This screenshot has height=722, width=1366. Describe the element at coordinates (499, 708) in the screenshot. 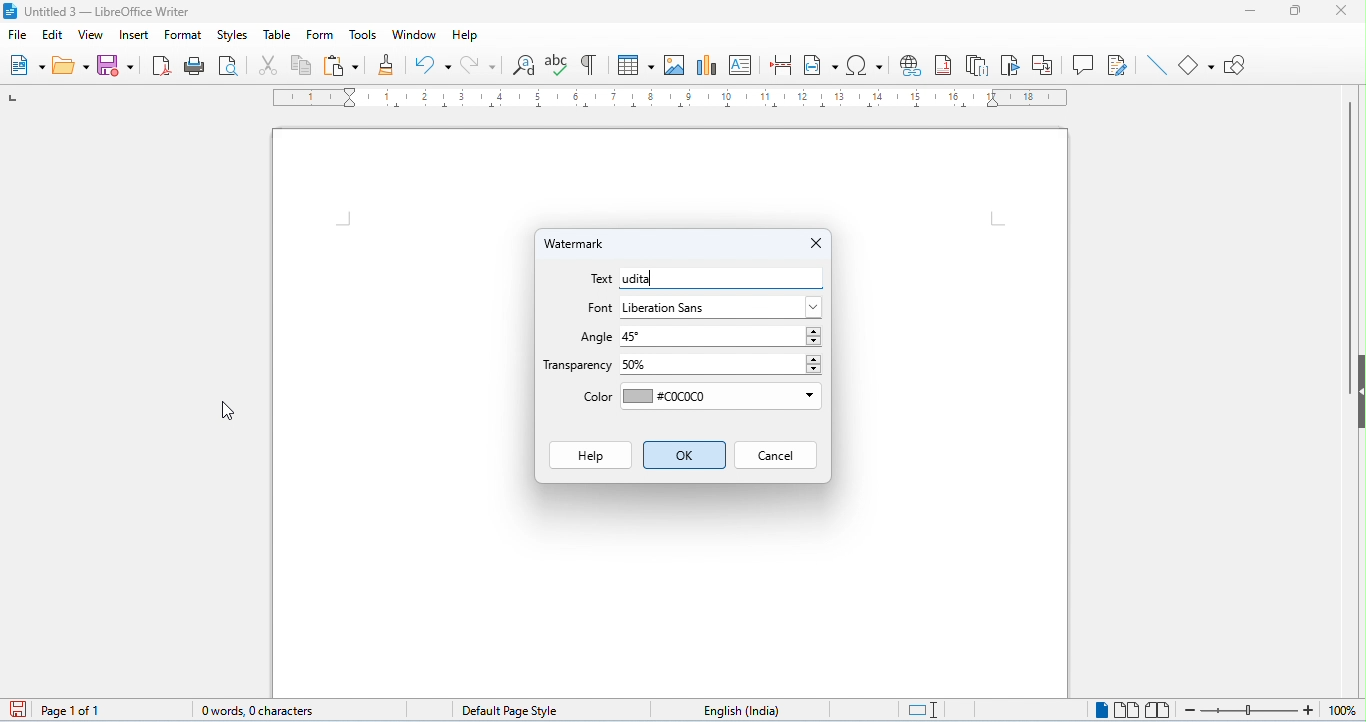

I see `default page style` at that location.